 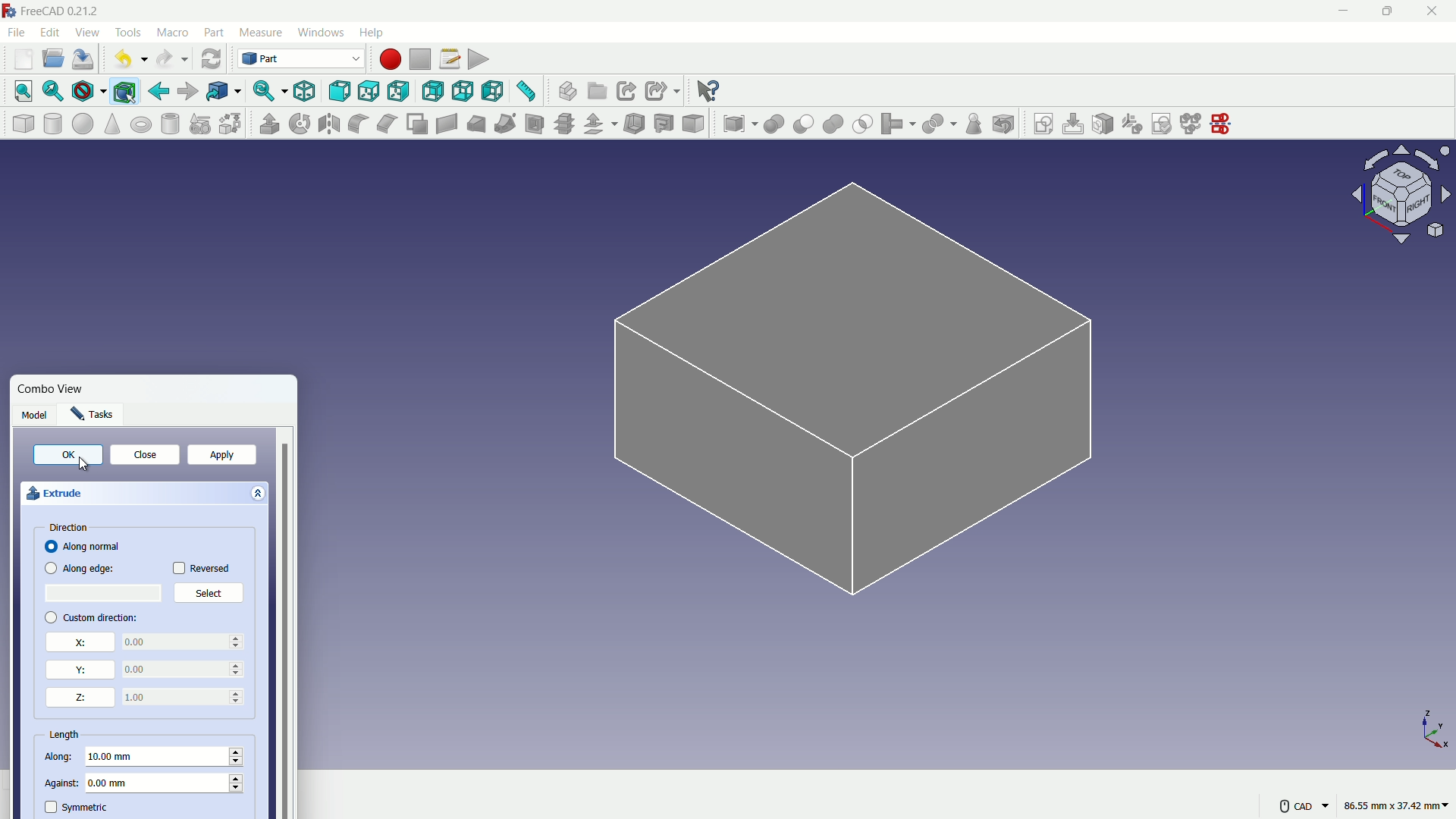 I want to click on fit selection, so click(x=55, y=90).